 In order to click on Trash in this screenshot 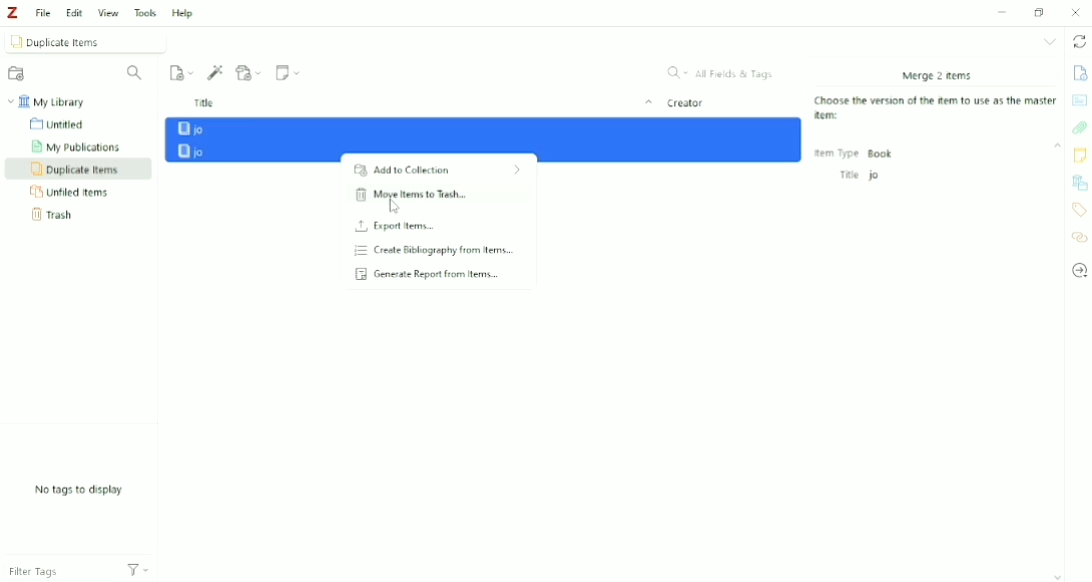, I will do `click(53, 215)`.